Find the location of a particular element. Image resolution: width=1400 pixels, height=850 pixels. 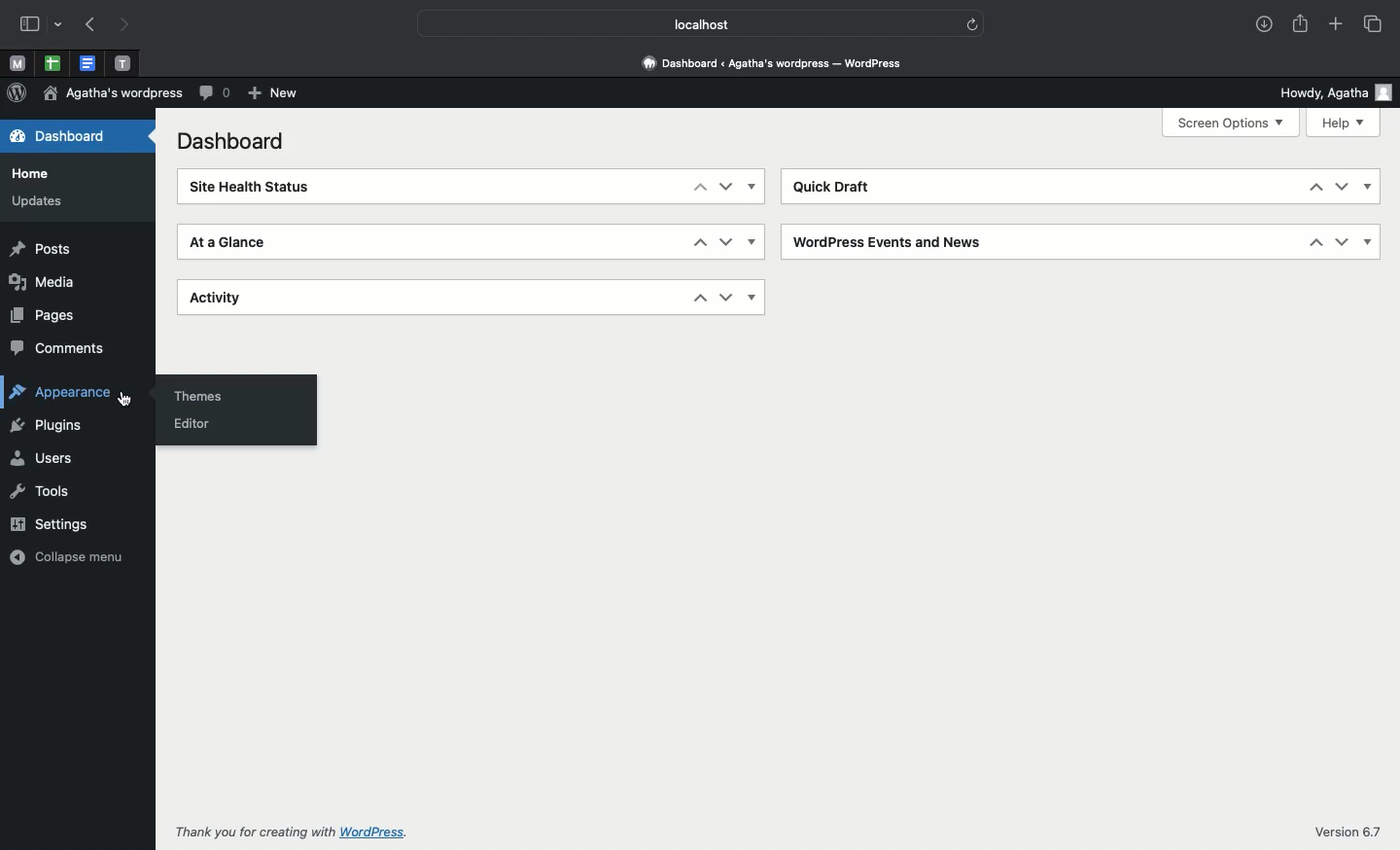

Updates is located at coordinates (35, 201).